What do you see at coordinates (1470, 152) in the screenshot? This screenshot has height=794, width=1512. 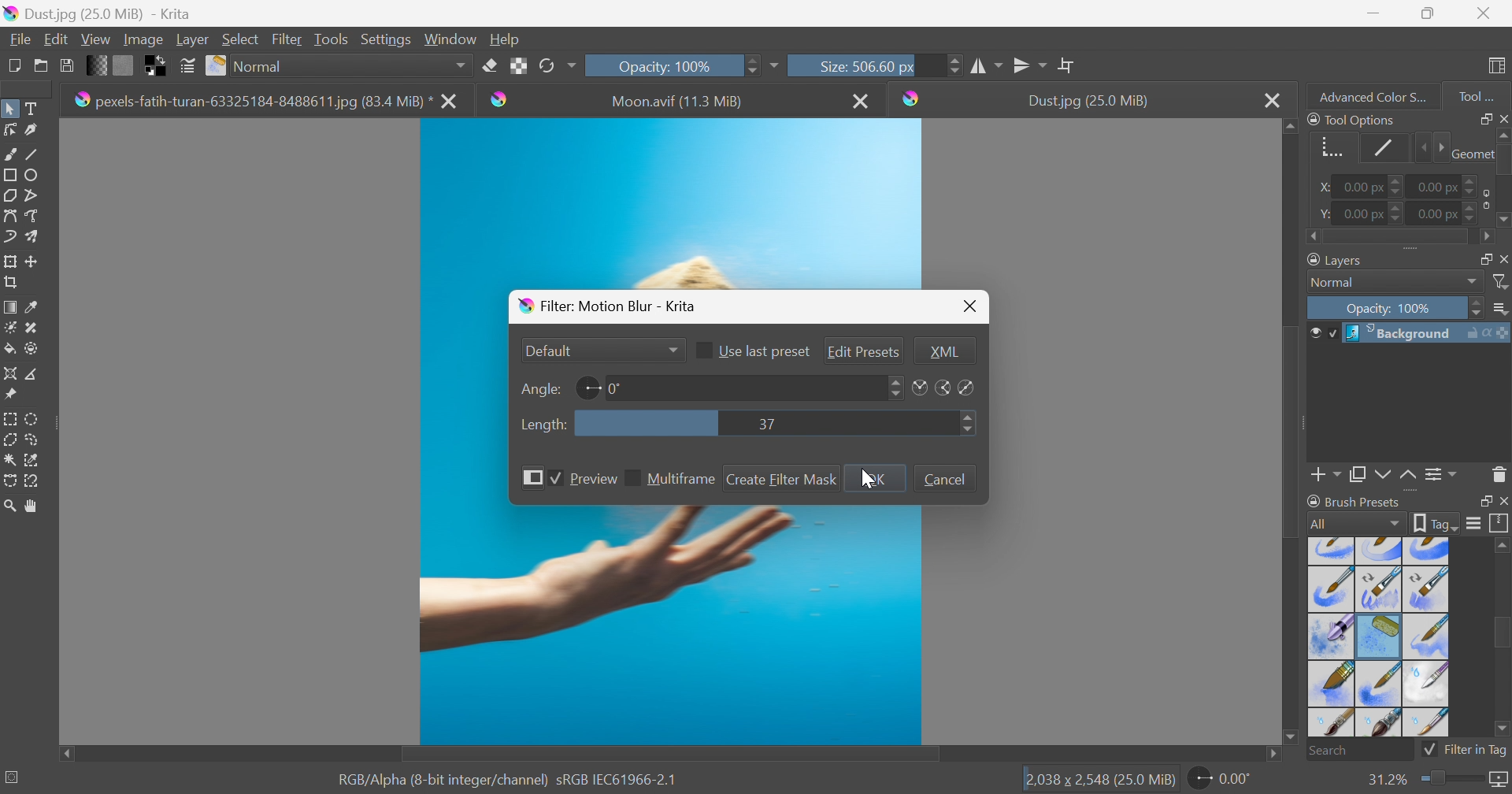 I see `Geometry` at bounding box center [1470, 152].